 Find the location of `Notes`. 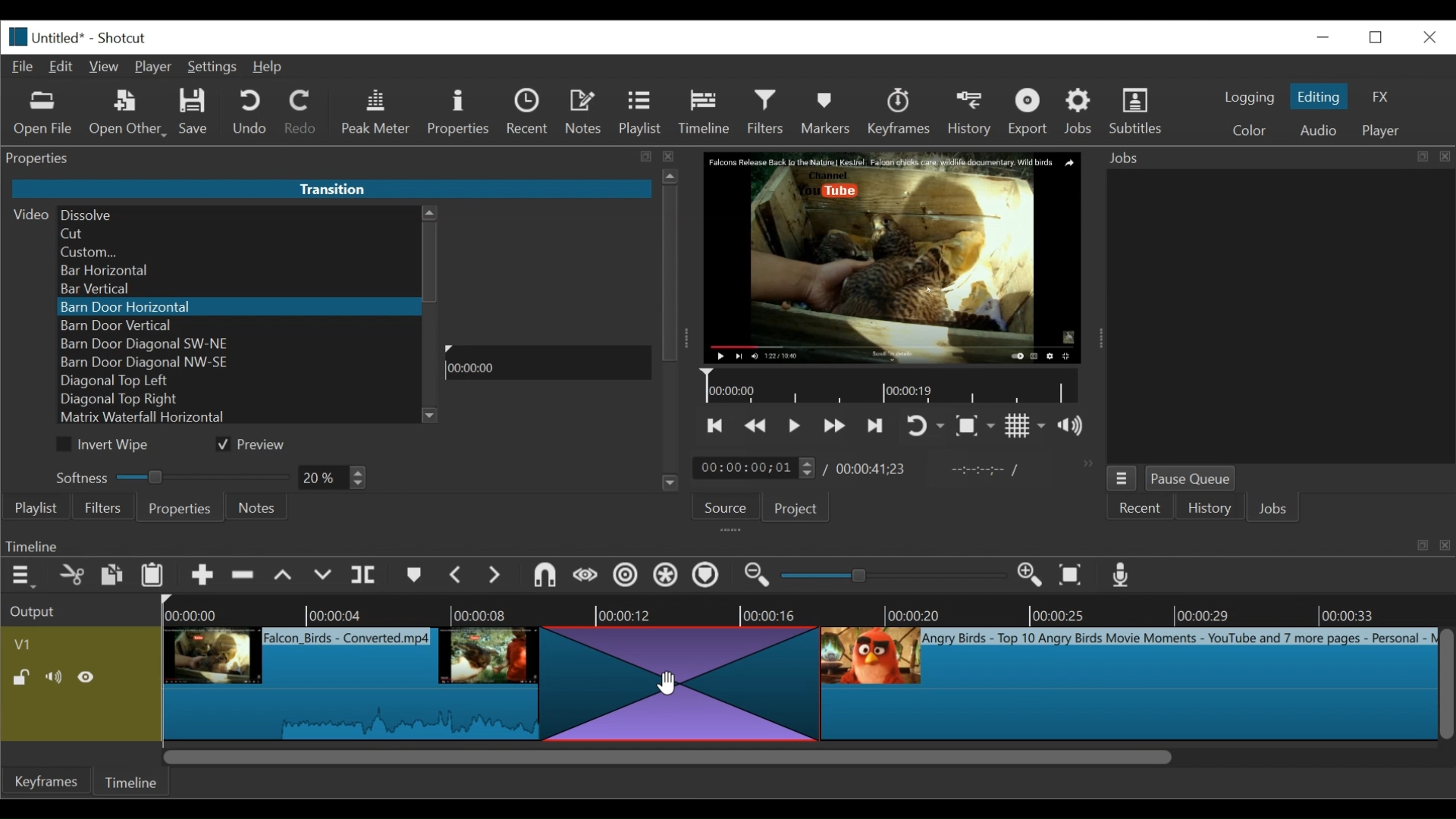

Notes is located at coordinates (258, 507).